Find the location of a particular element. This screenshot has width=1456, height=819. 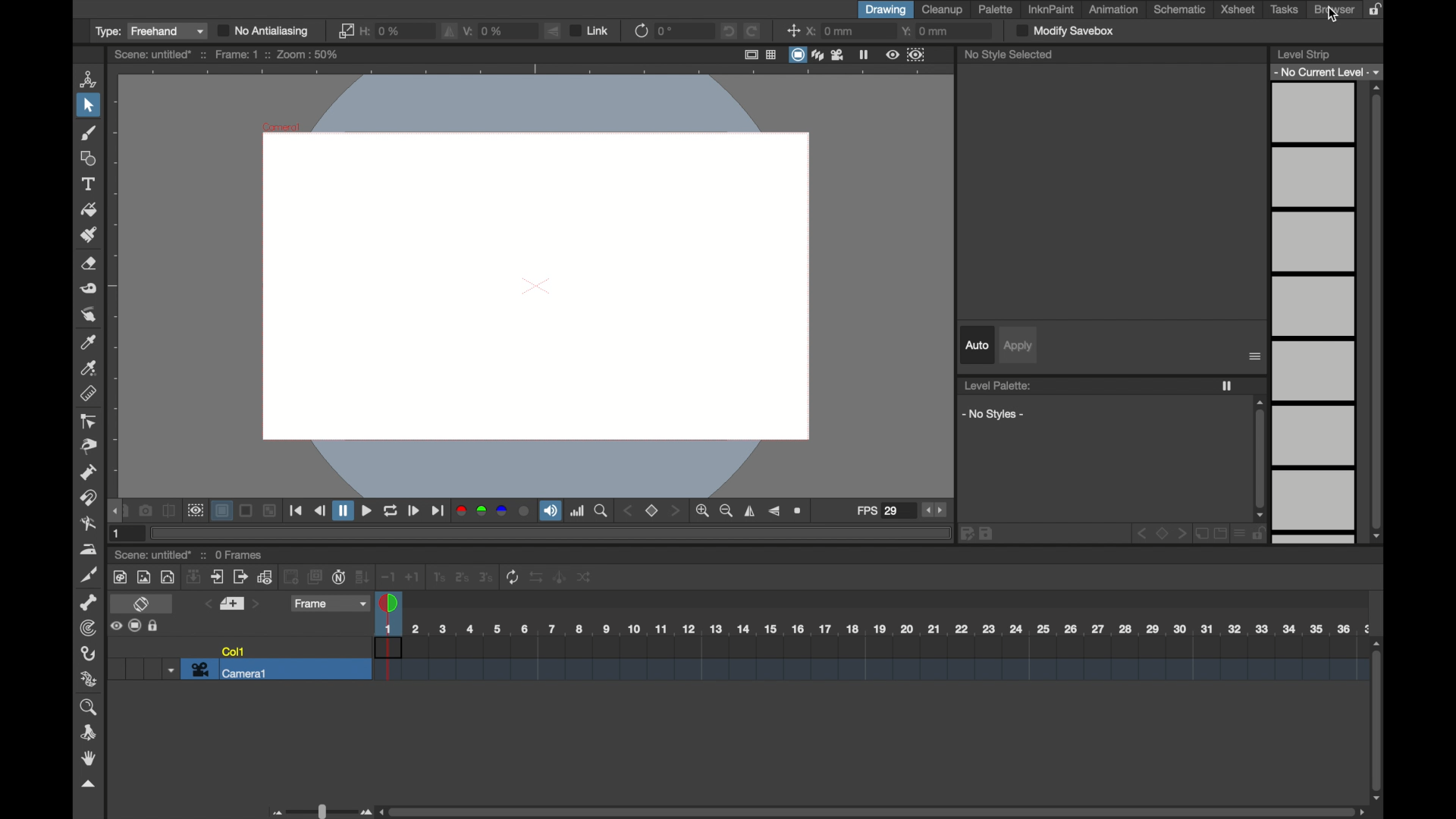

zoom is located at coordinates (602, 510).